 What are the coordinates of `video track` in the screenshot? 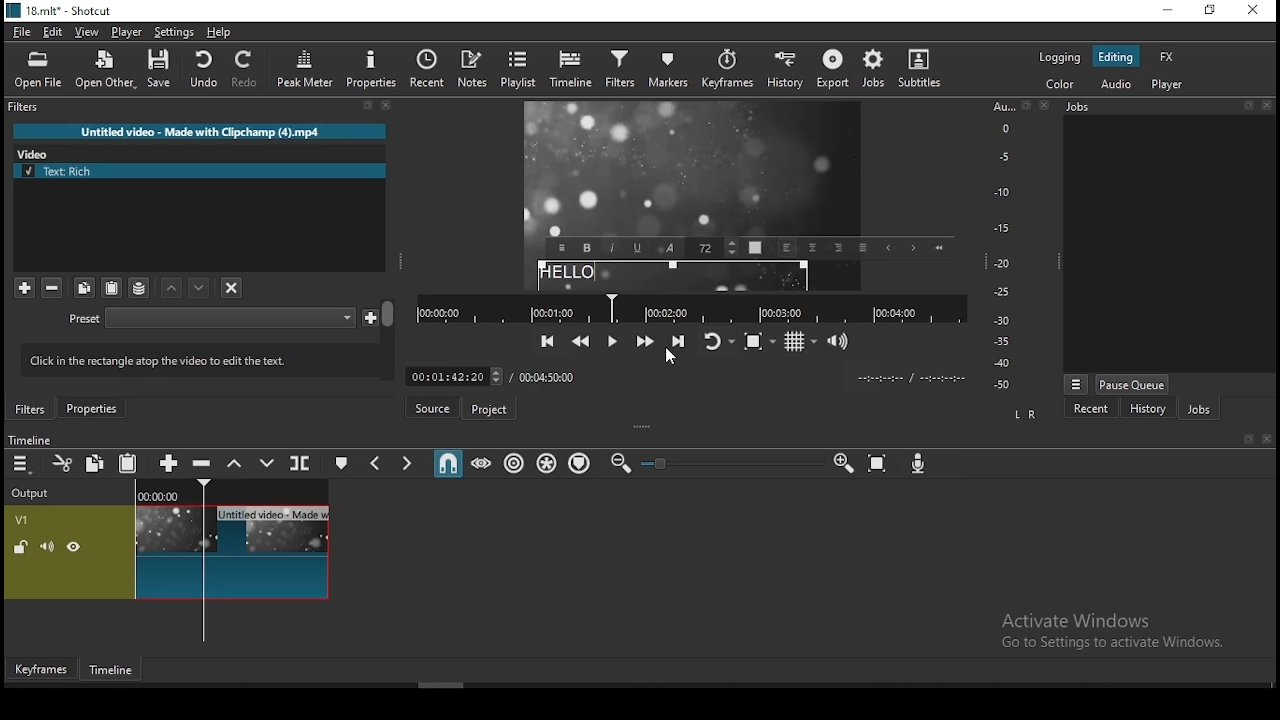 It's located at (167, 552).